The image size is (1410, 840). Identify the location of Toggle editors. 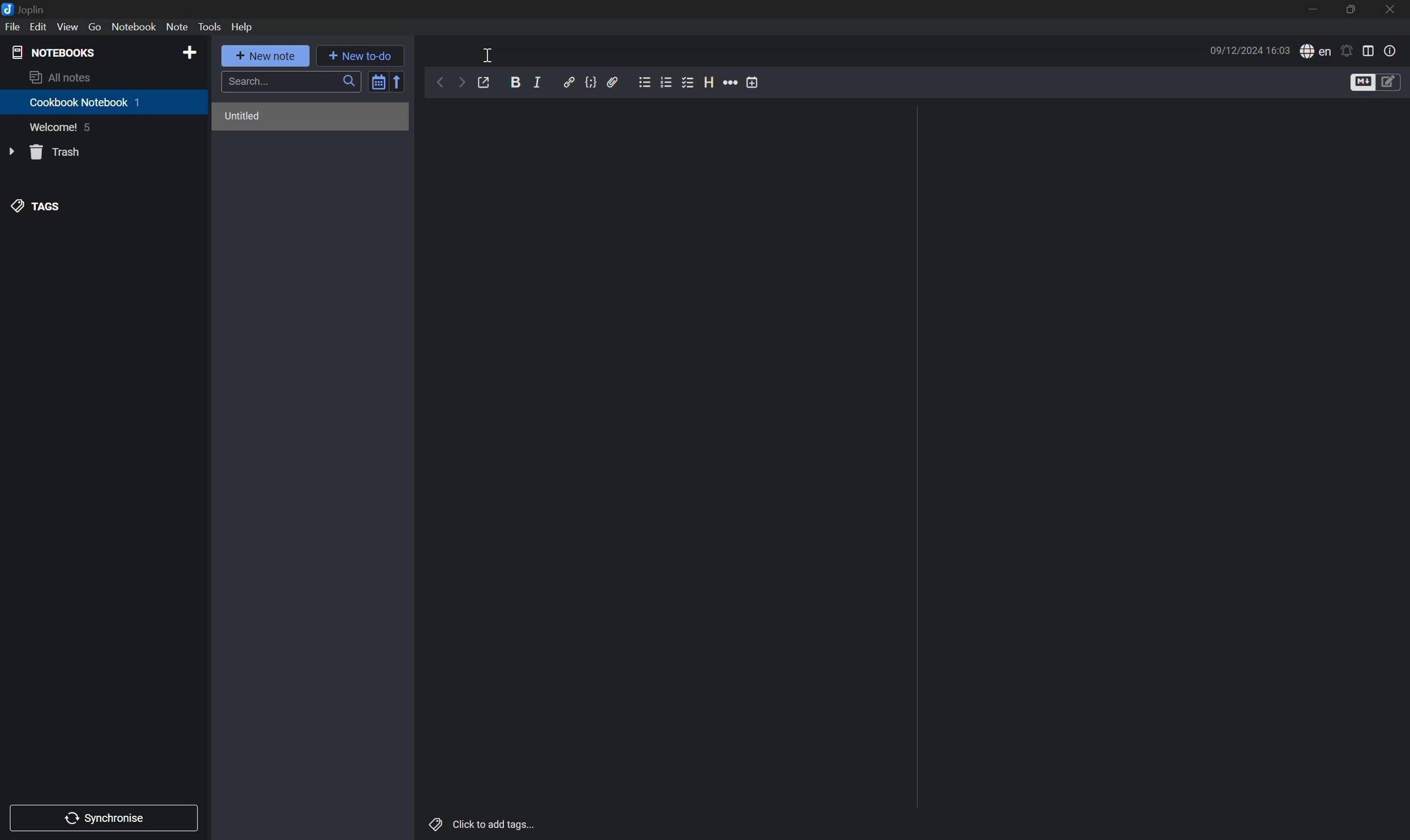
(1377, 82).